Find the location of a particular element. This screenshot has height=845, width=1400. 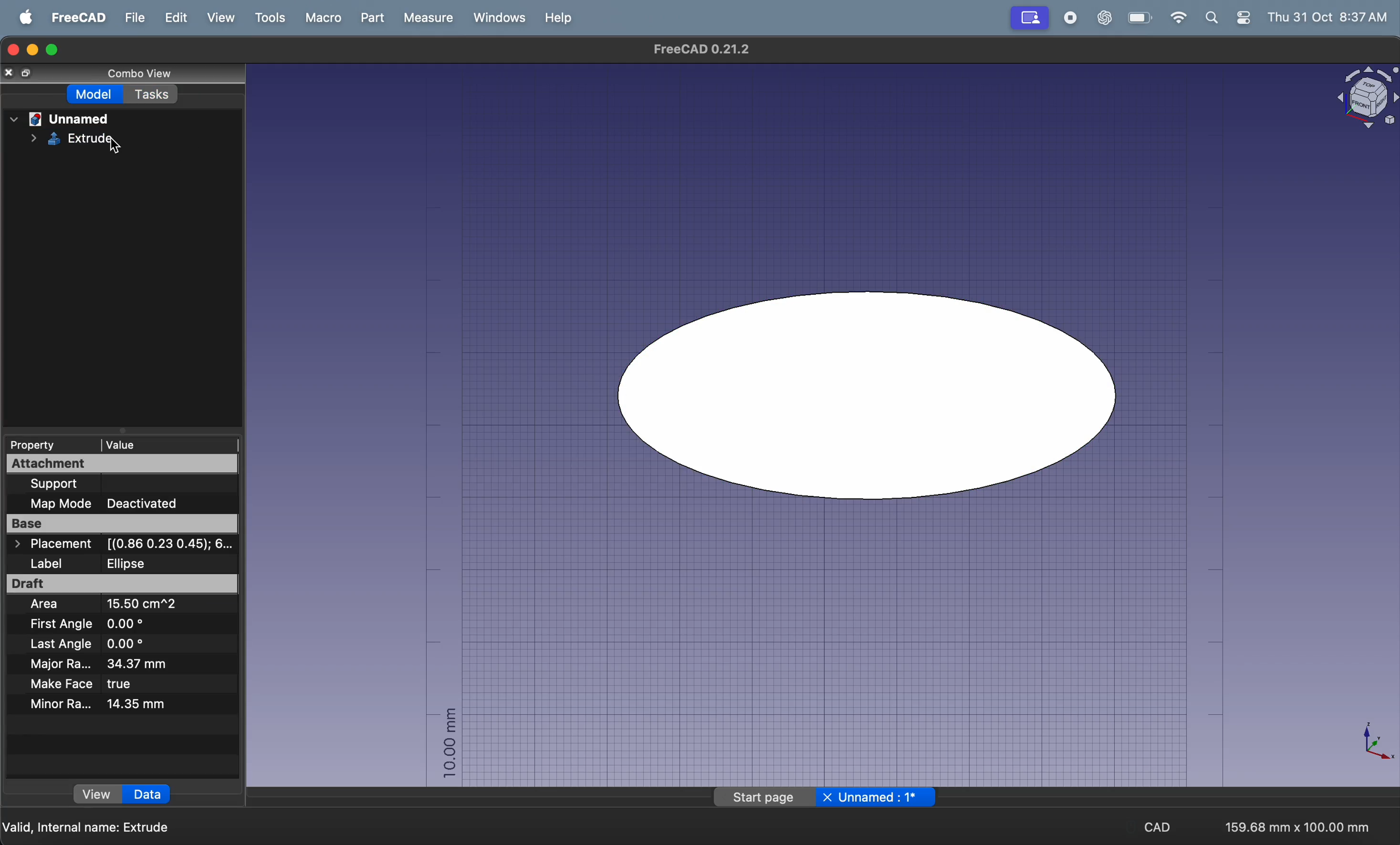

thu 31 oct 8.37 am is located at coordinates (1330, 16).